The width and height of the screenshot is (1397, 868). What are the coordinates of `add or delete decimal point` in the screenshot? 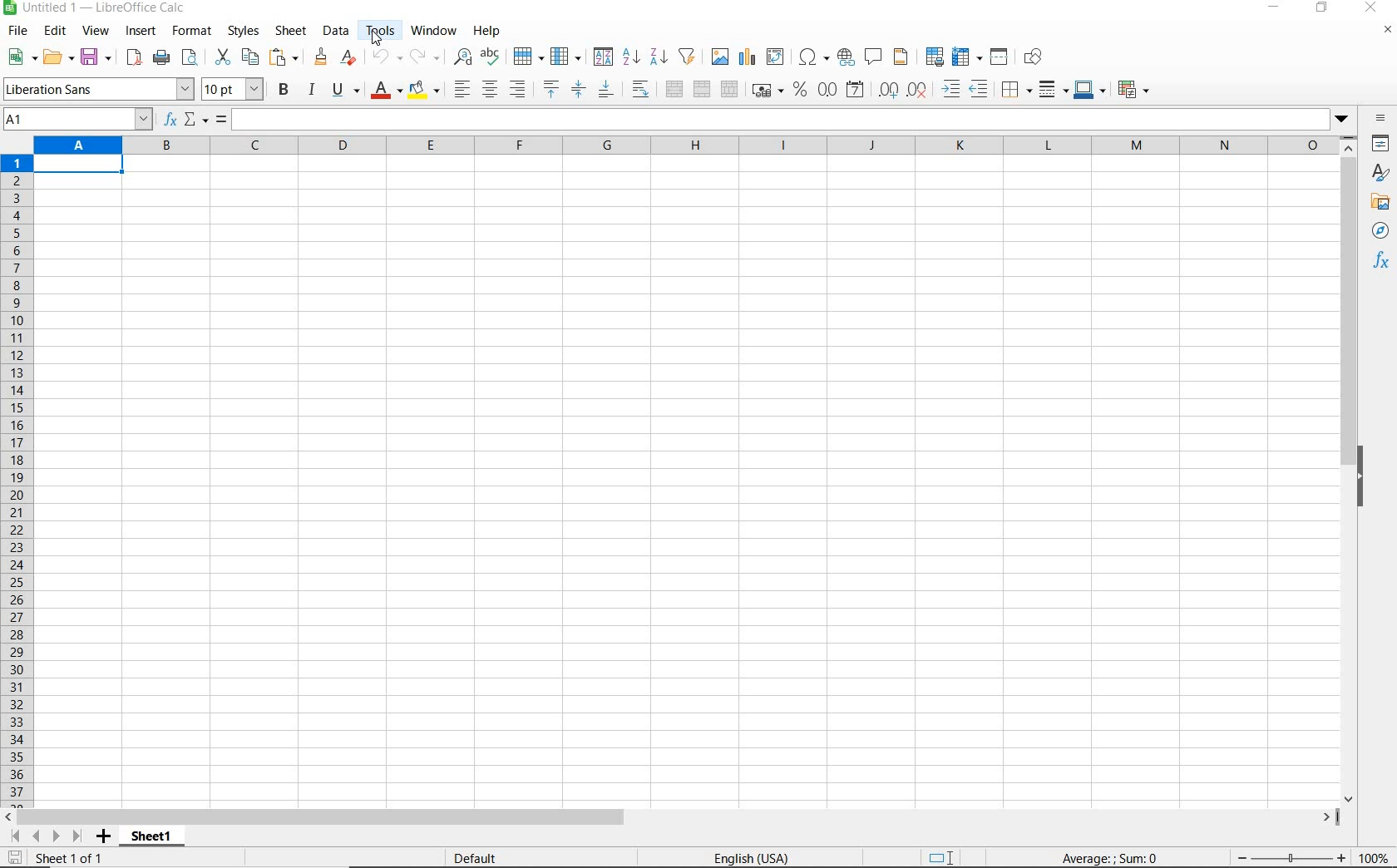 It's located at (903, 90).